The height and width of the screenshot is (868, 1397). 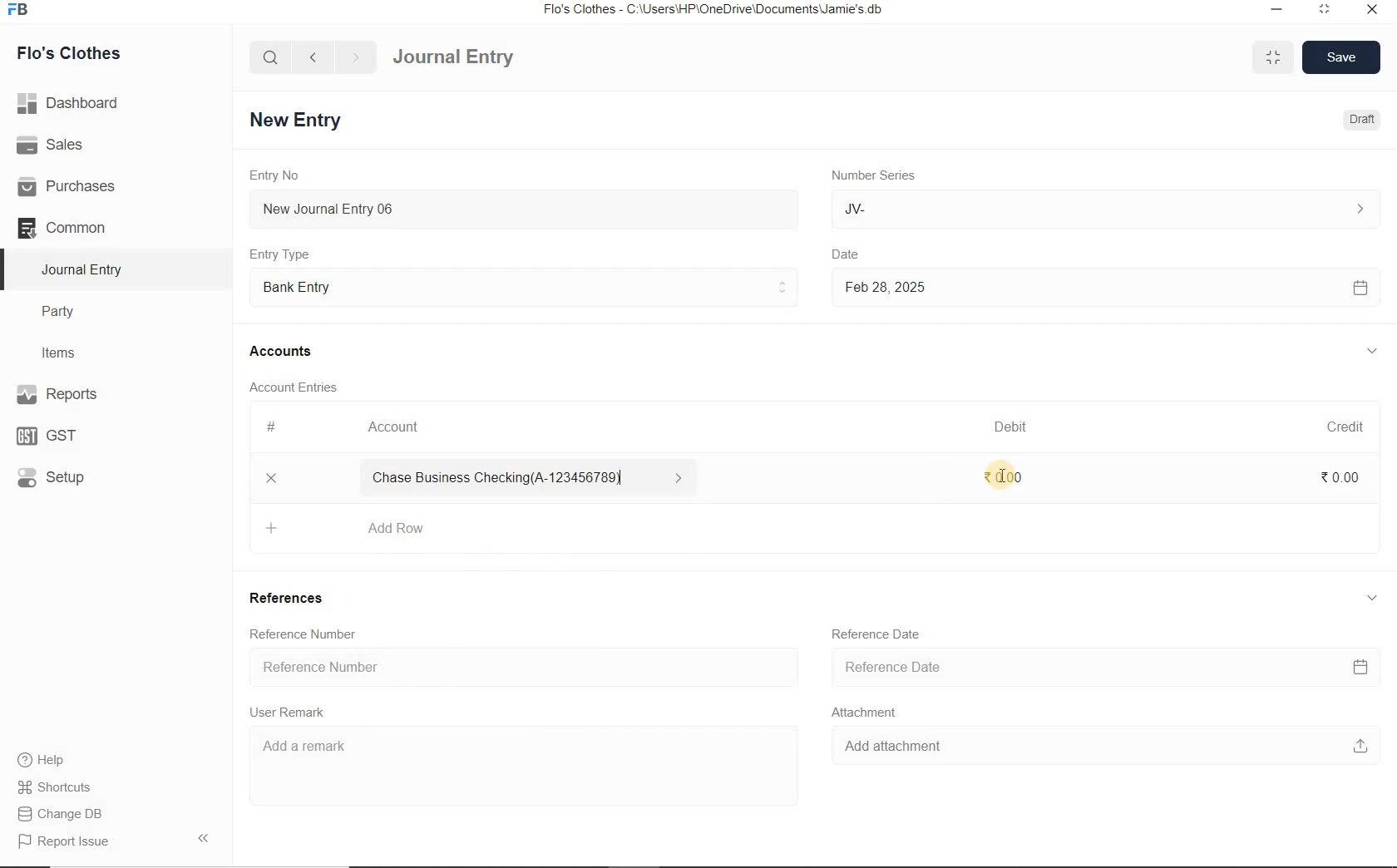 I want to click on search, so click(x=271, y=57).